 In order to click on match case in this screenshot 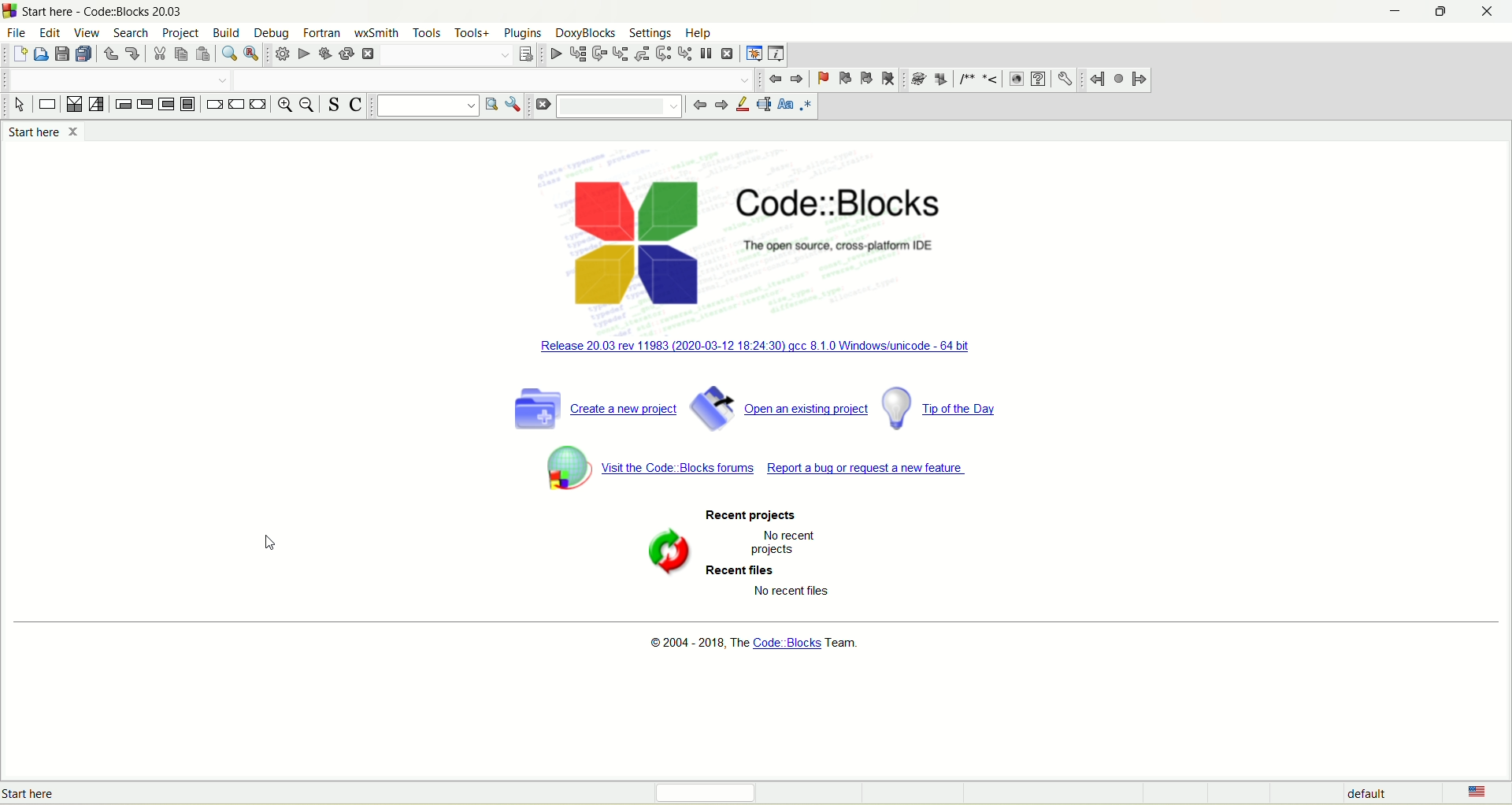, I will do `click(785, 105)`.